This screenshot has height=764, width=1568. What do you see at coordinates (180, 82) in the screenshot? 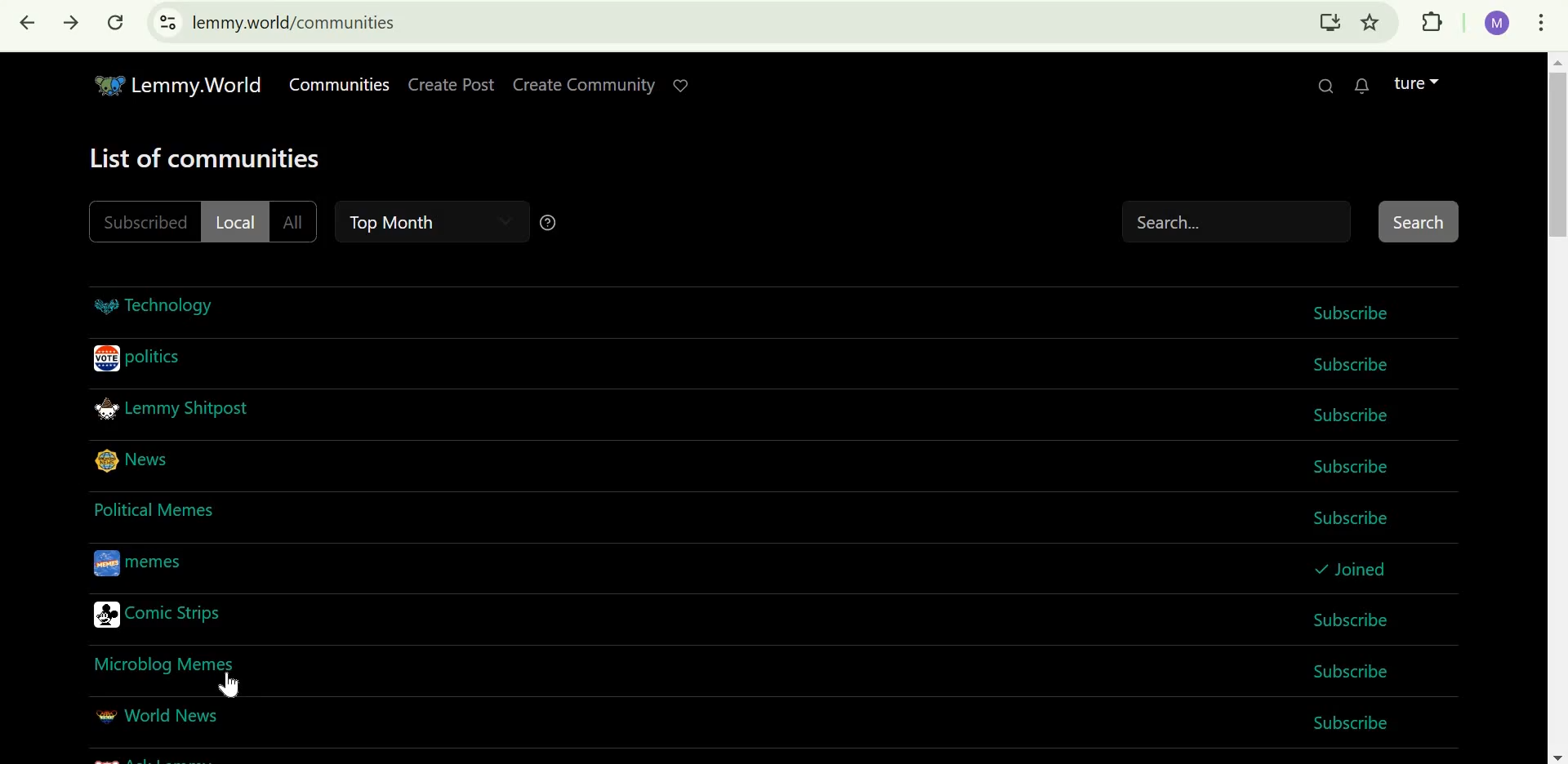
I see `Lemmy.World` at bounding box center [180, 82].